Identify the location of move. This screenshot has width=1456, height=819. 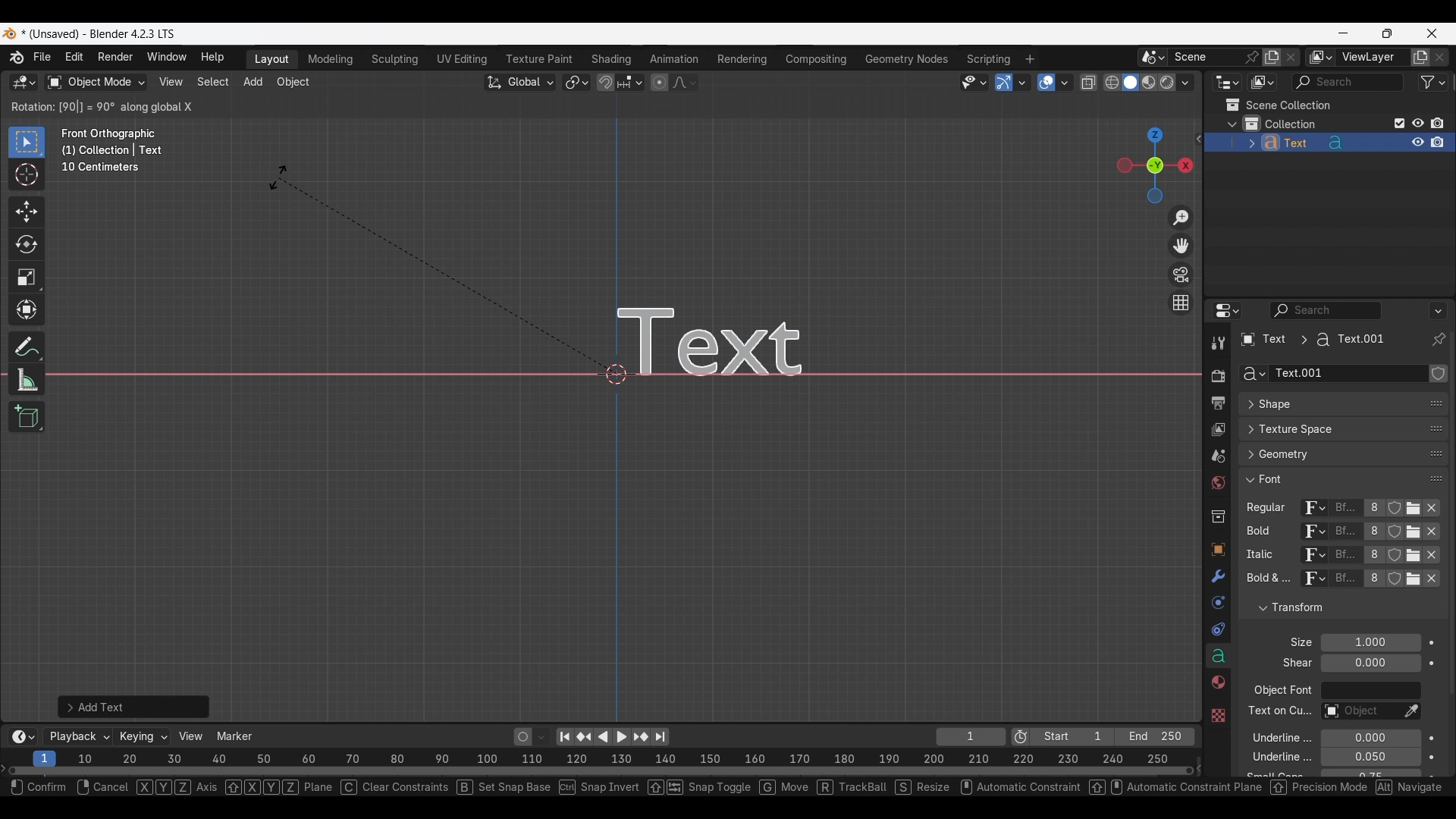
(785, 789).